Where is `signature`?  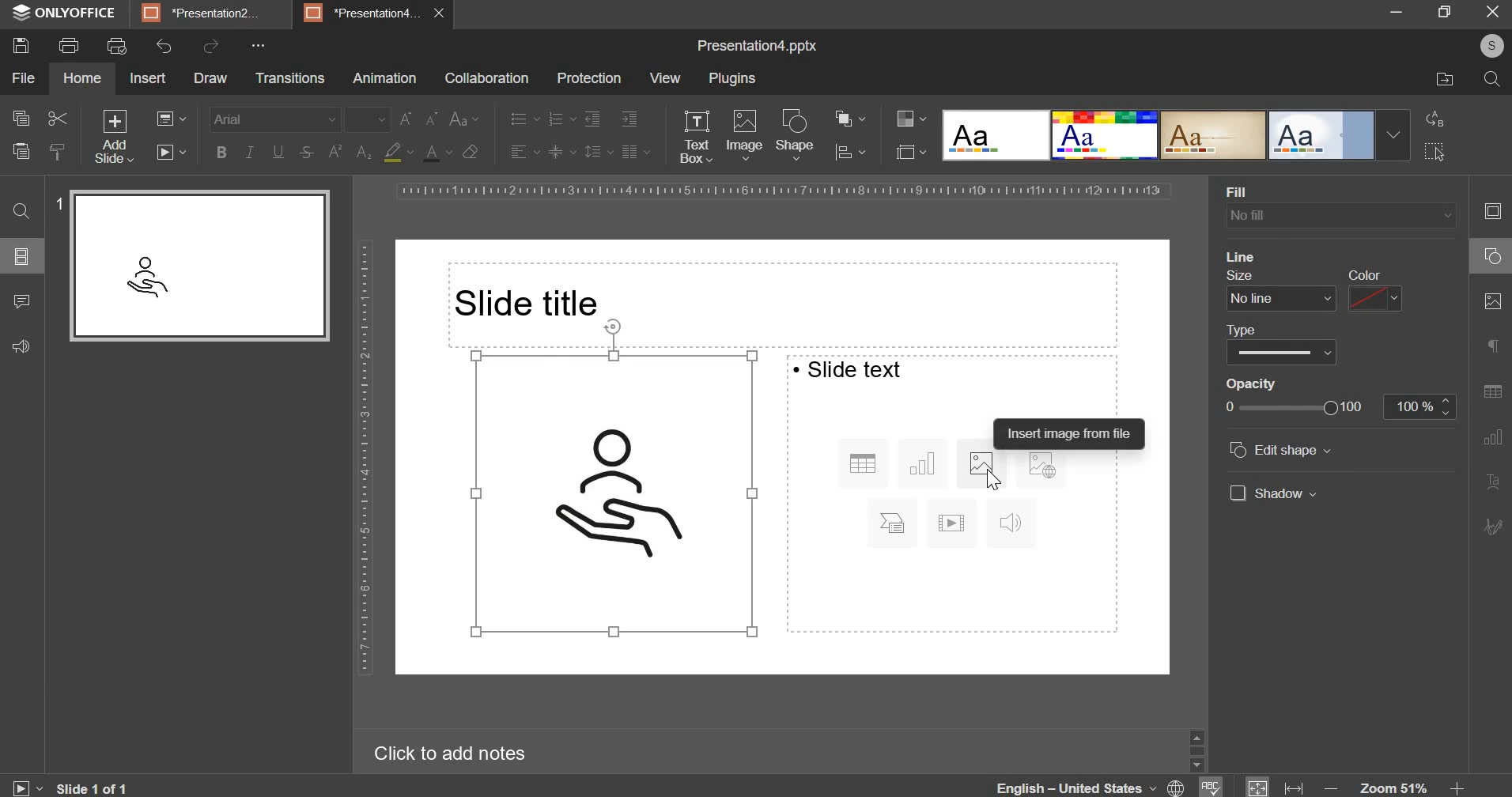
signature is located at coordinates (1495, 526).